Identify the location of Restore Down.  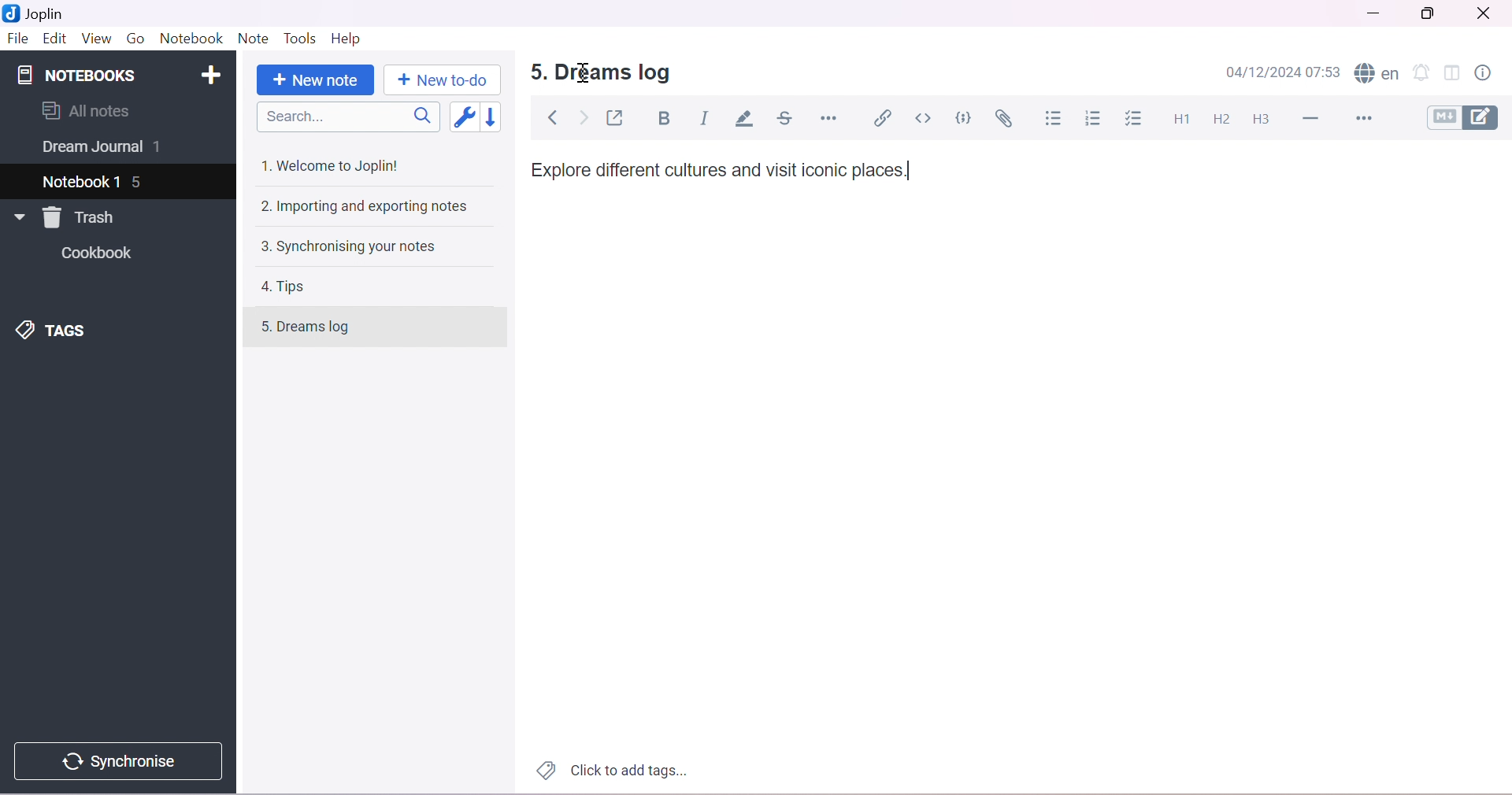
(1434, 13).